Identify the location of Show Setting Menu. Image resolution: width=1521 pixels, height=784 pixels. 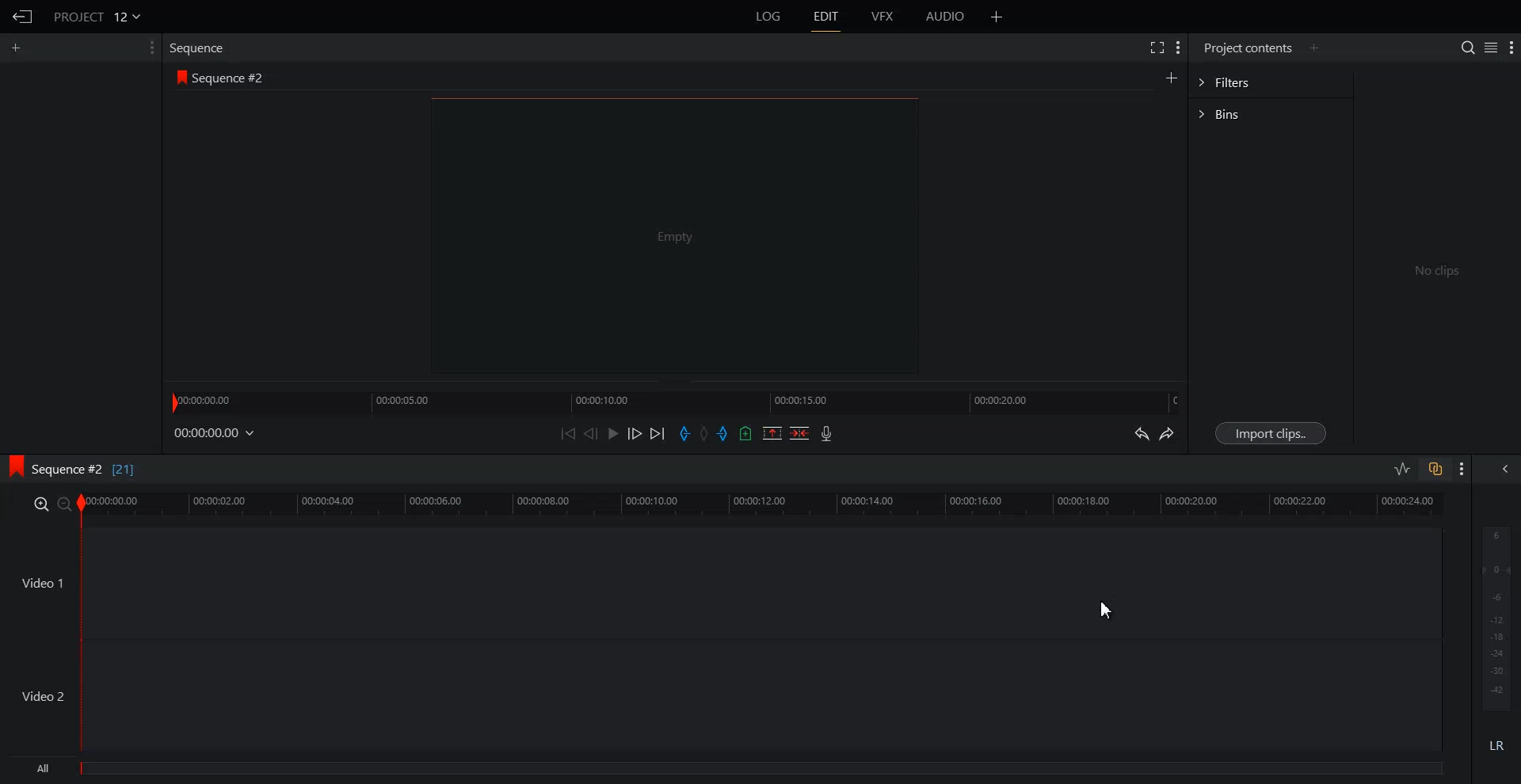
(147, 48).